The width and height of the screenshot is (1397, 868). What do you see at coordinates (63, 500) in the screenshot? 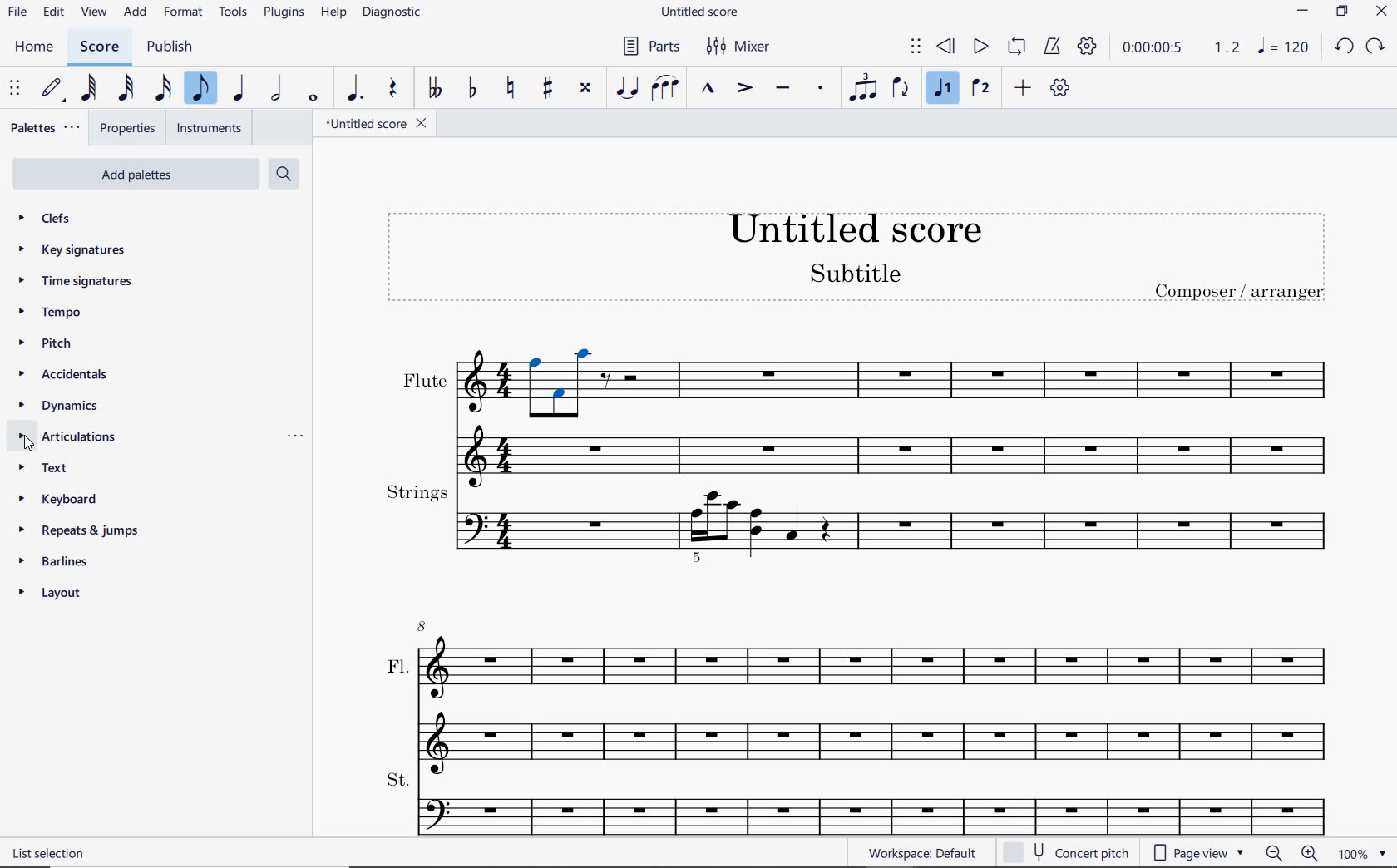
I see `keyboard` at bounding box center [63, 500].